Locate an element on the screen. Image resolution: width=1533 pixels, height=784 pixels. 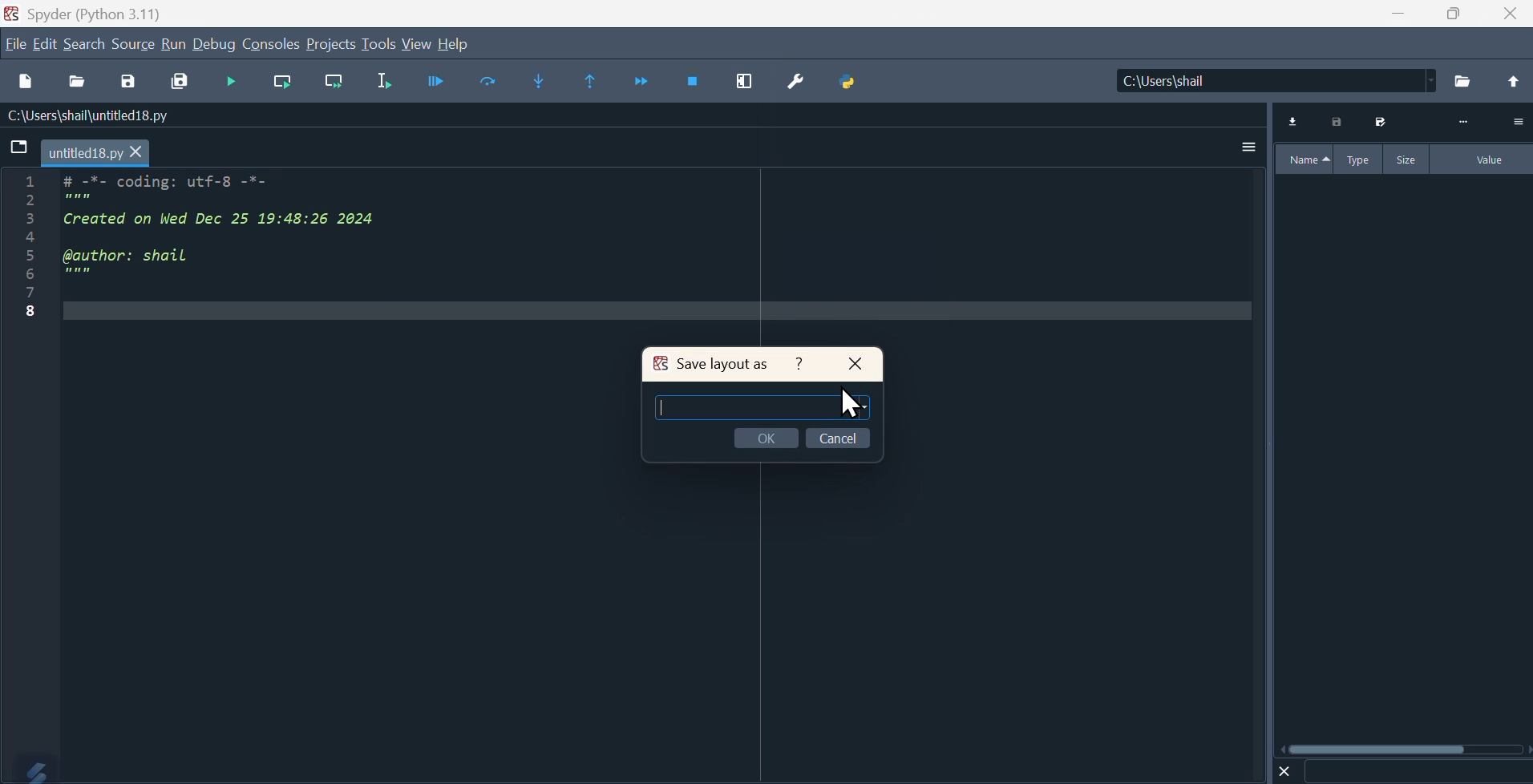
Source is located at coordinates (134, 43).